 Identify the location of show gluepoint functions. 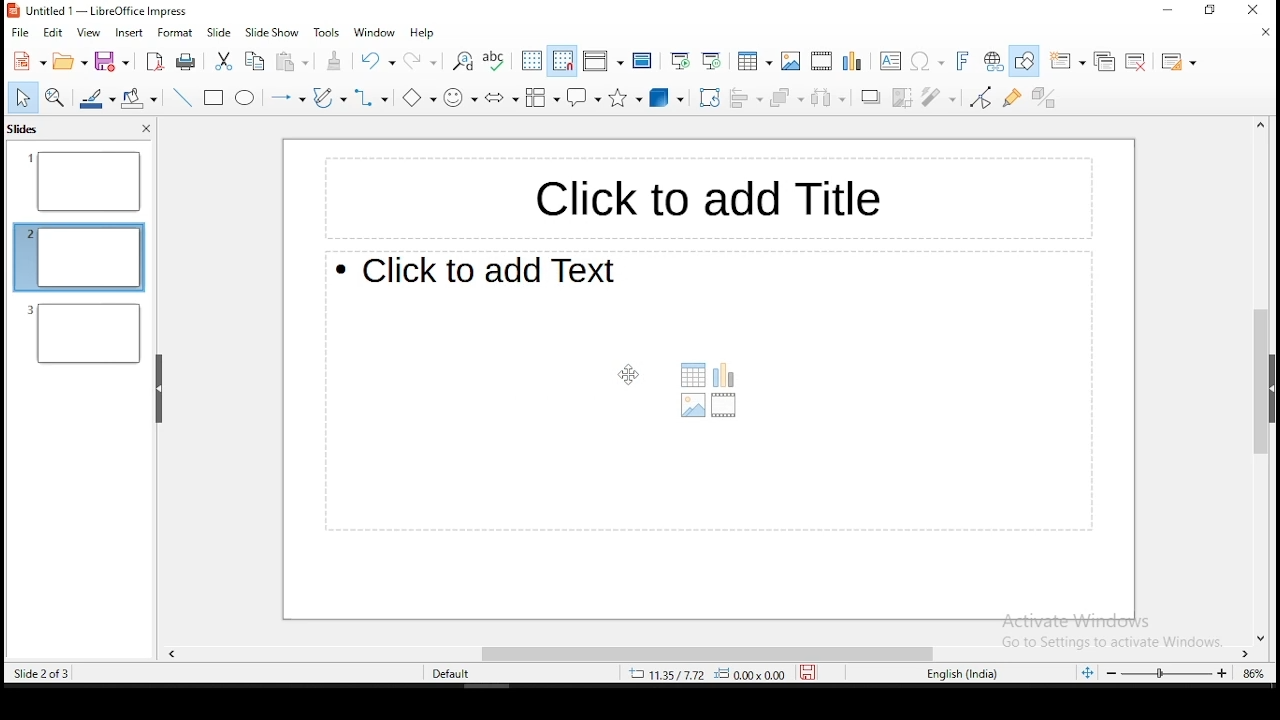
(1012, 98).